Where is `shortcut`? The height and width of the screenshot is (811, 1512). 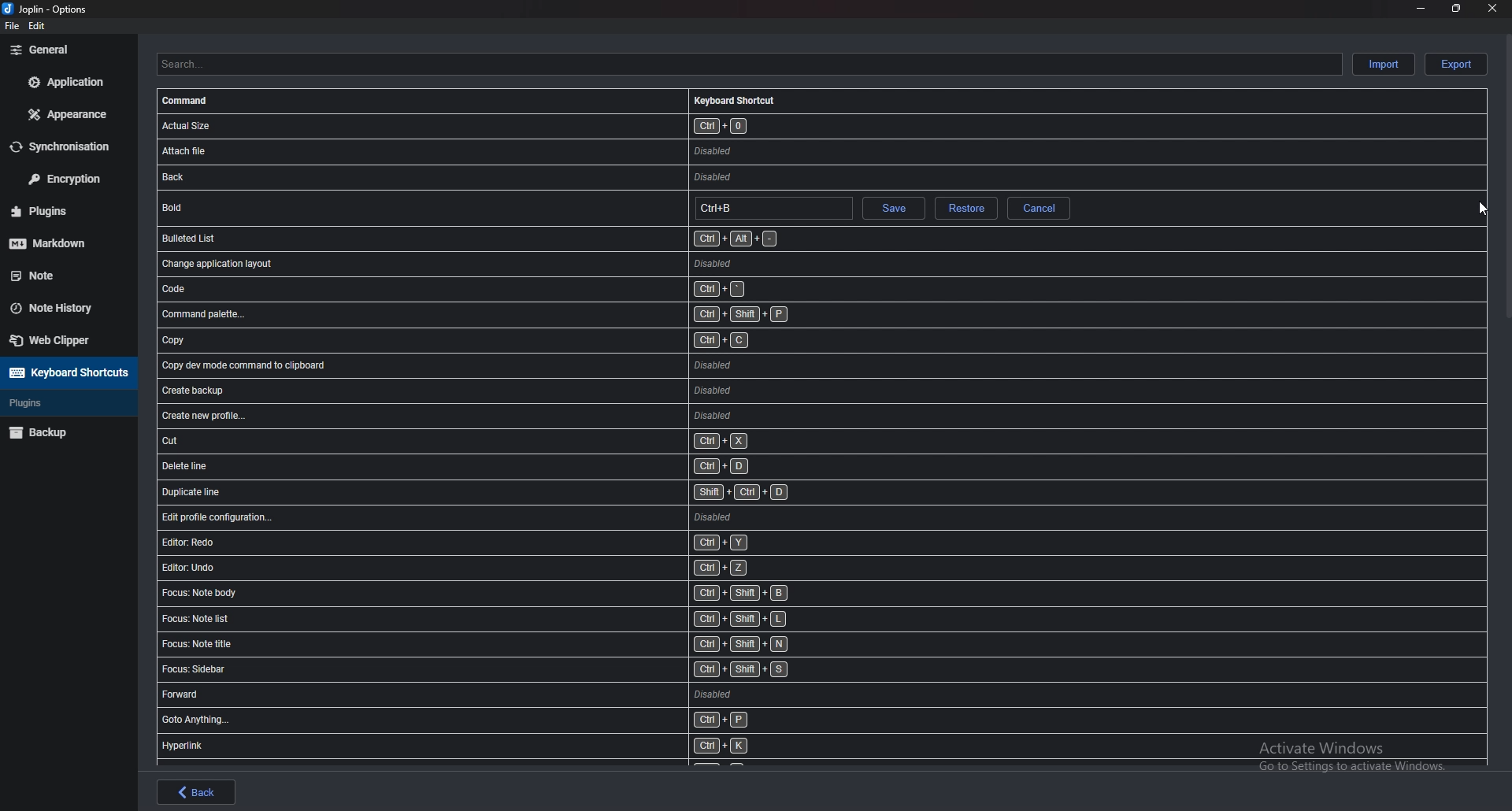 shortcut is located at coordinates (472, 178).